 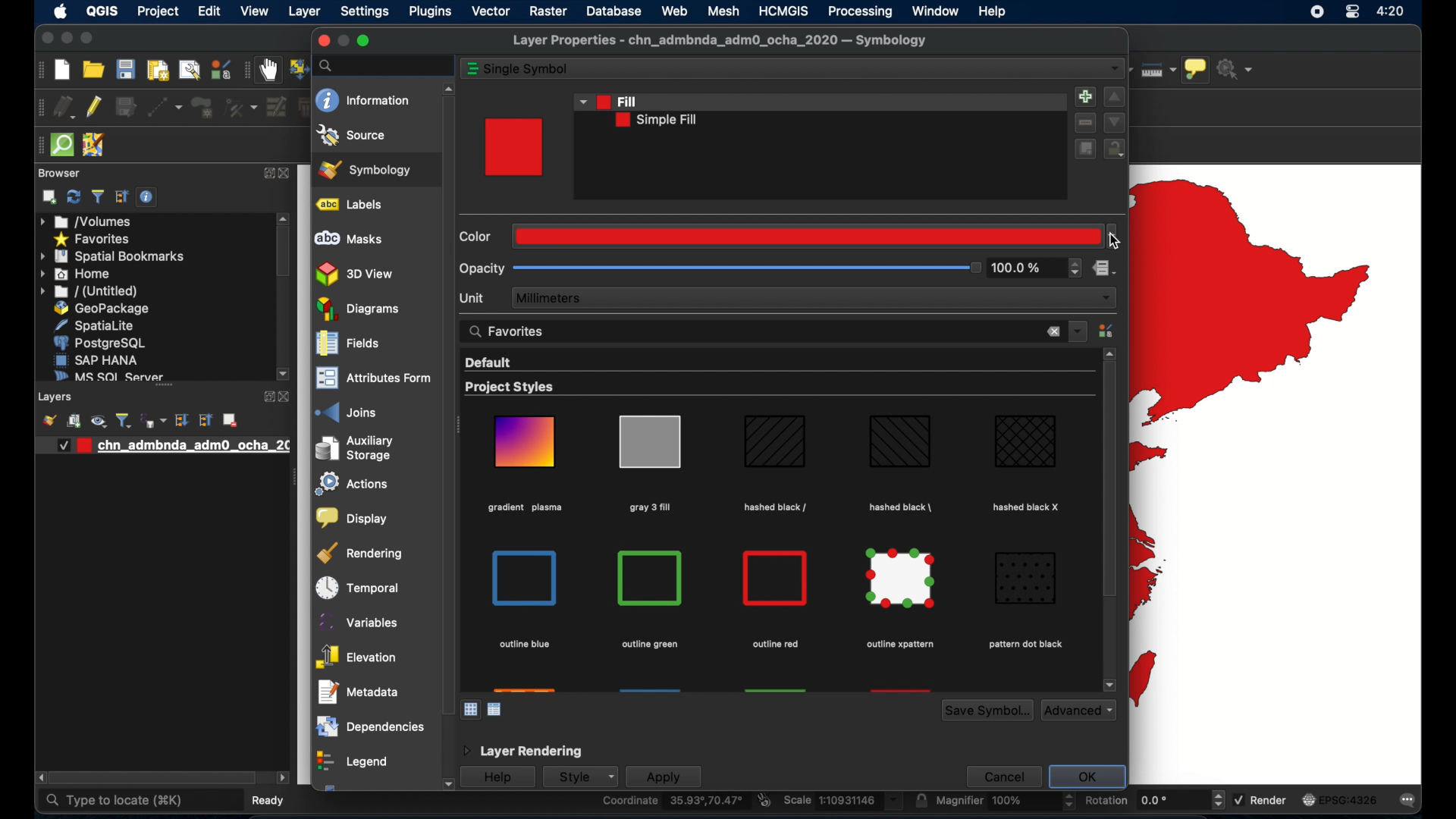 What do you see at coordinates (354, 448) in the screenshot?
I see `auxiliary storage` at bounding box center [354, 448].